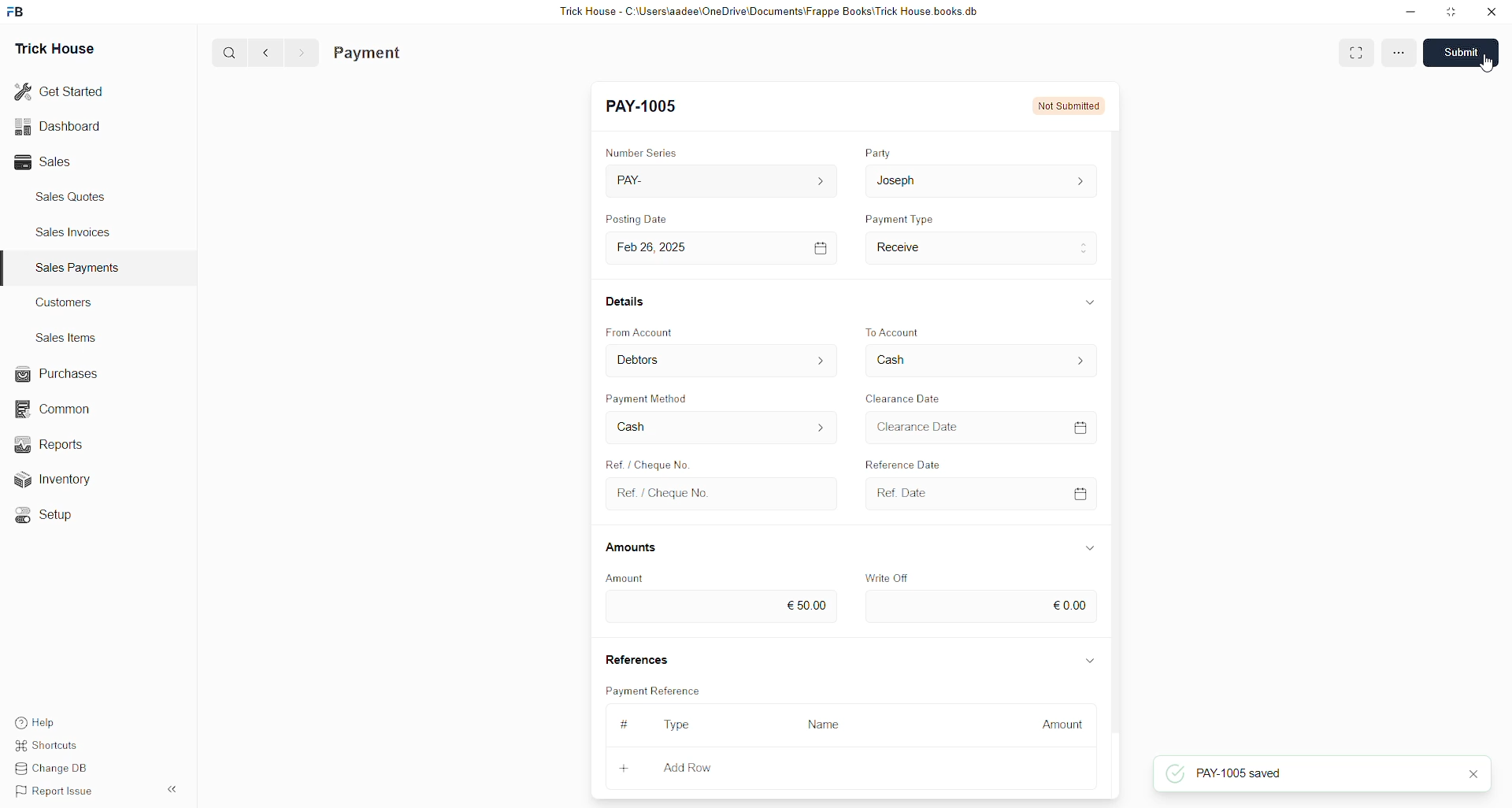  Describe the element at coordinates (724, 180) in the screenshot. I see `PAY` at that location.